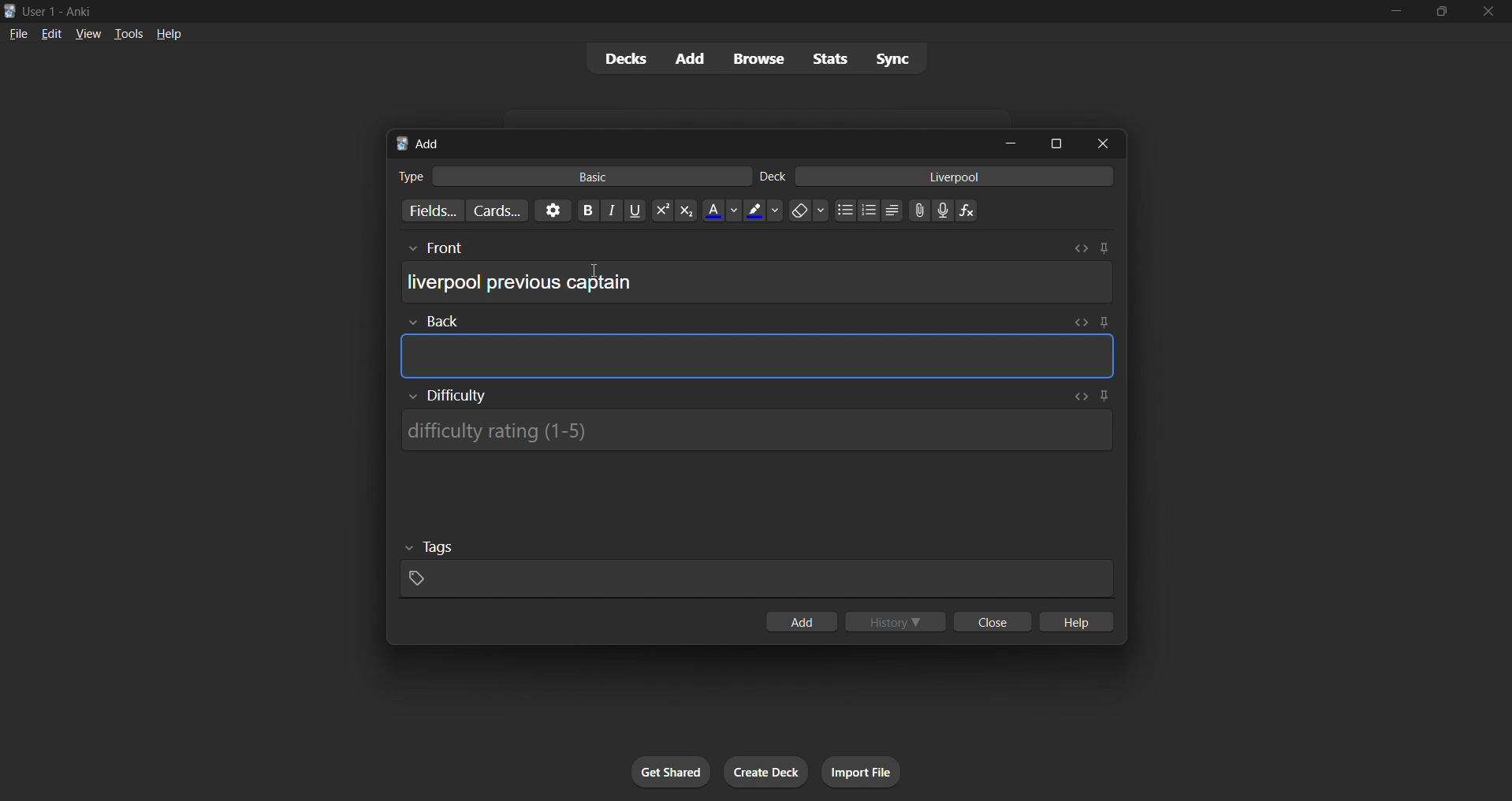 The image size is (1512, 801). Describe the element at coordinates (767, 773) in the screenshot. I see `create deck` at that location.